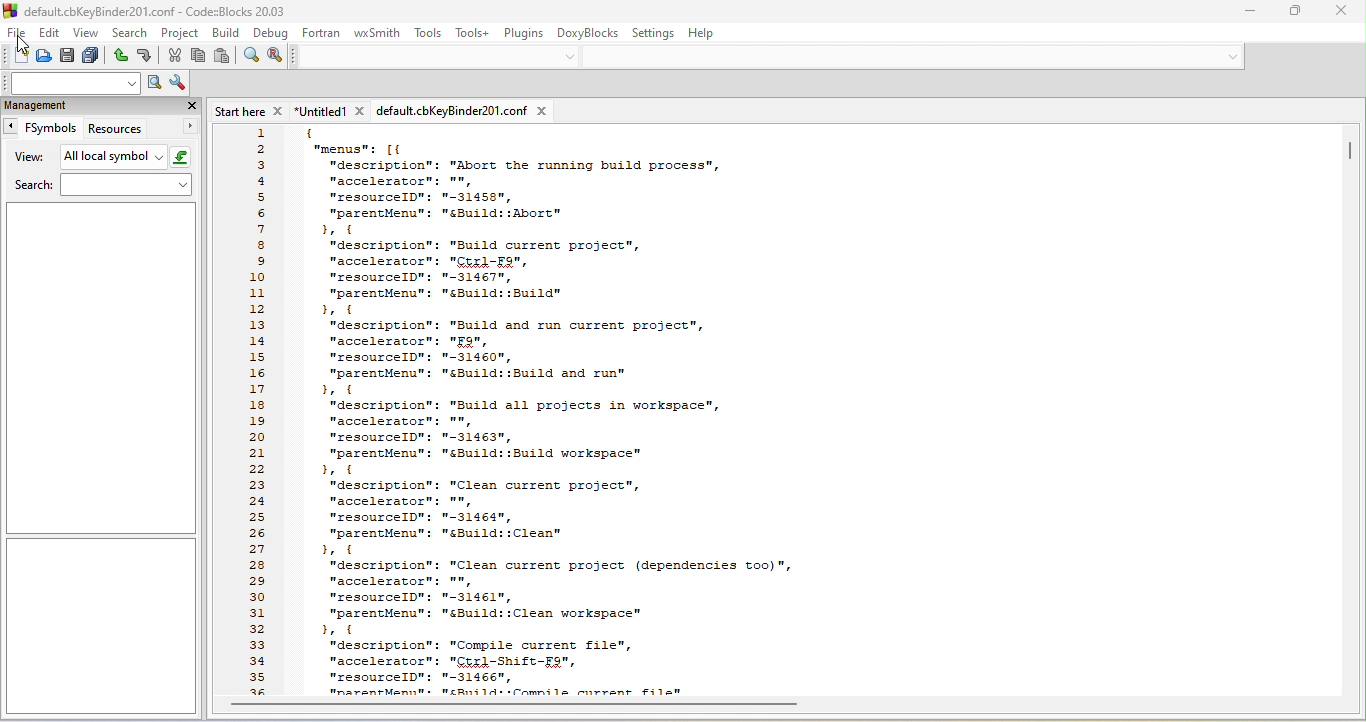 This screenshot has height=722, width=1366. Describe the element at coordinates (251, 111) in the screenshot. I see `start here` at that location.